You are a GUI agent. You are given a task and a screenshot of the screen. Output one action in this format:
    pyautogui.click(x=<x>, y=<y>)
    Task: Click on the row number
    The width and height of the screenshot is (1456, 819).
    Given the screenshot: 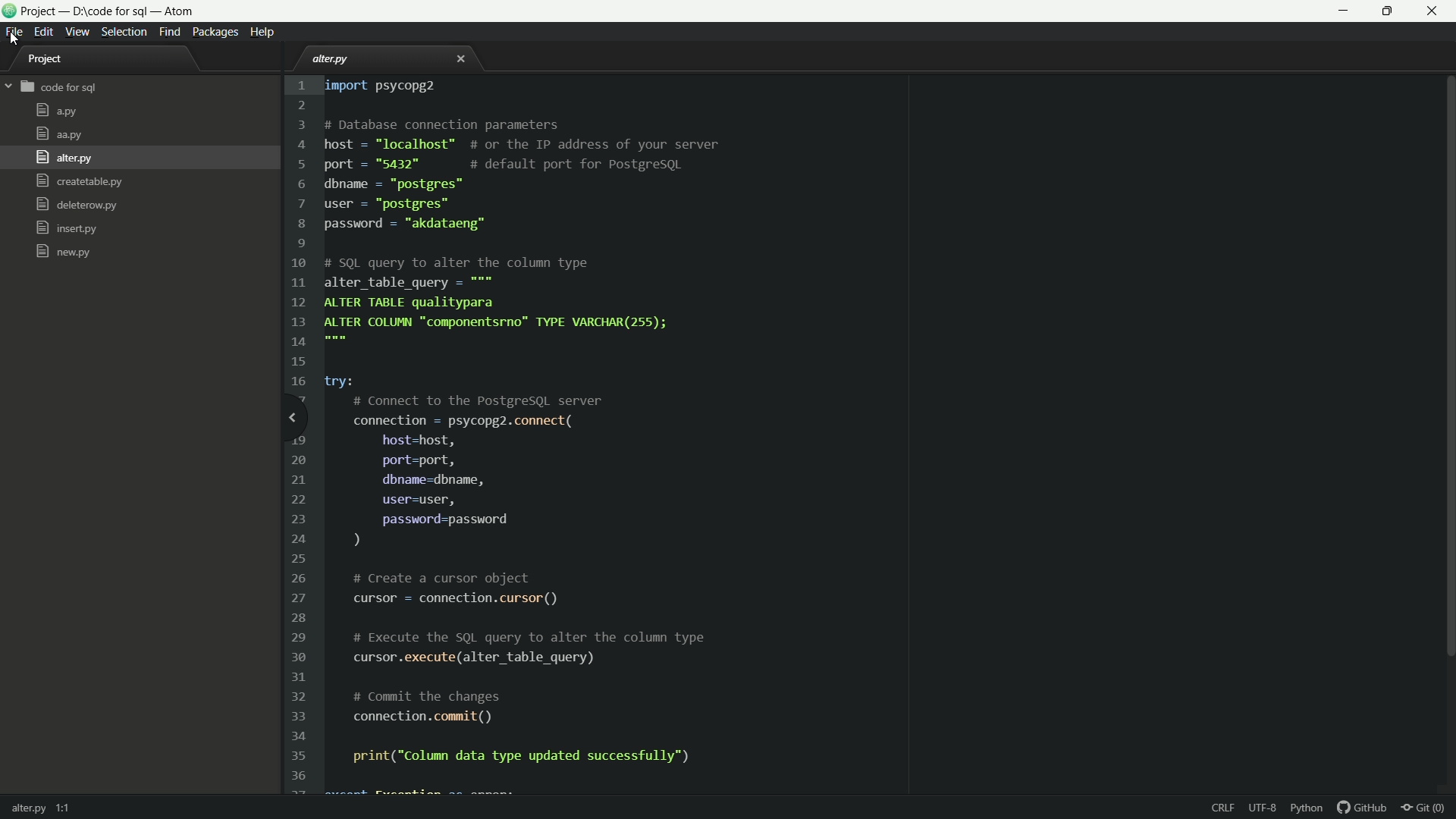 What is the action you would take?
    pyautogui.click(x=297, y=434)
    